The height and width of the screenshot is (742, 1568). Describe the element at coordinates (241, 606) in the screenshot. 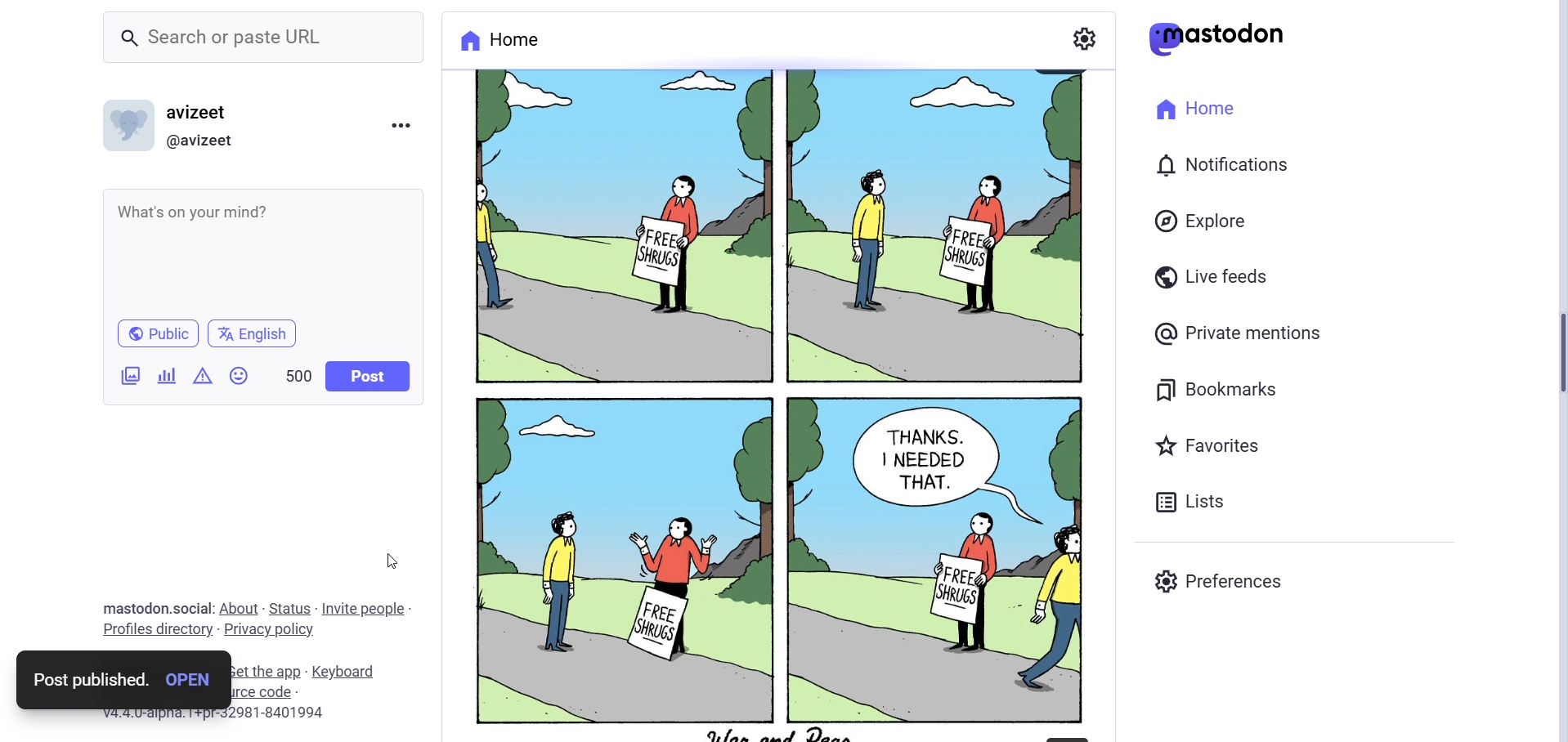

I see `About` at that location.